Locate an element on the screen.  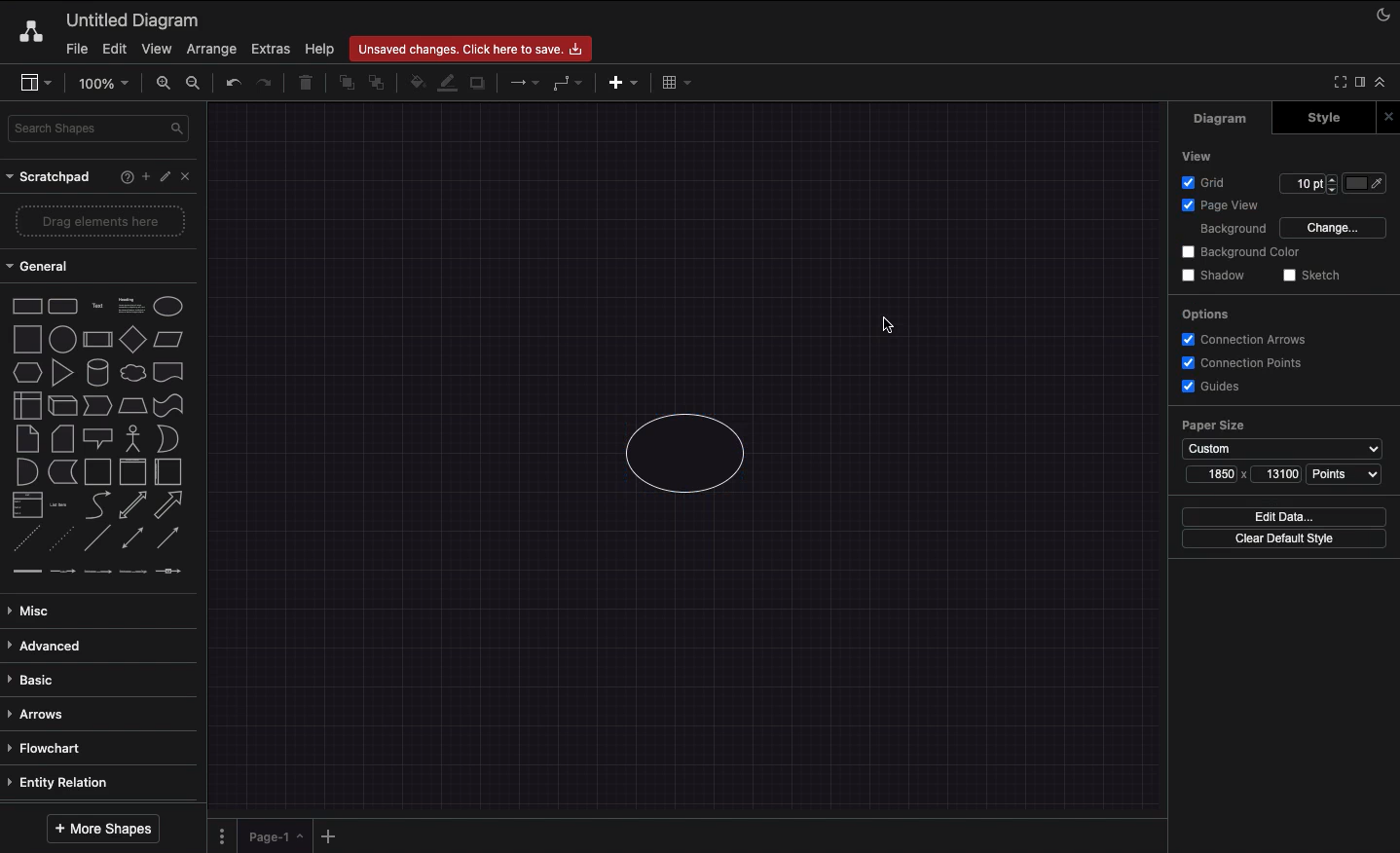
Cube is located at coordinates (62, 406).